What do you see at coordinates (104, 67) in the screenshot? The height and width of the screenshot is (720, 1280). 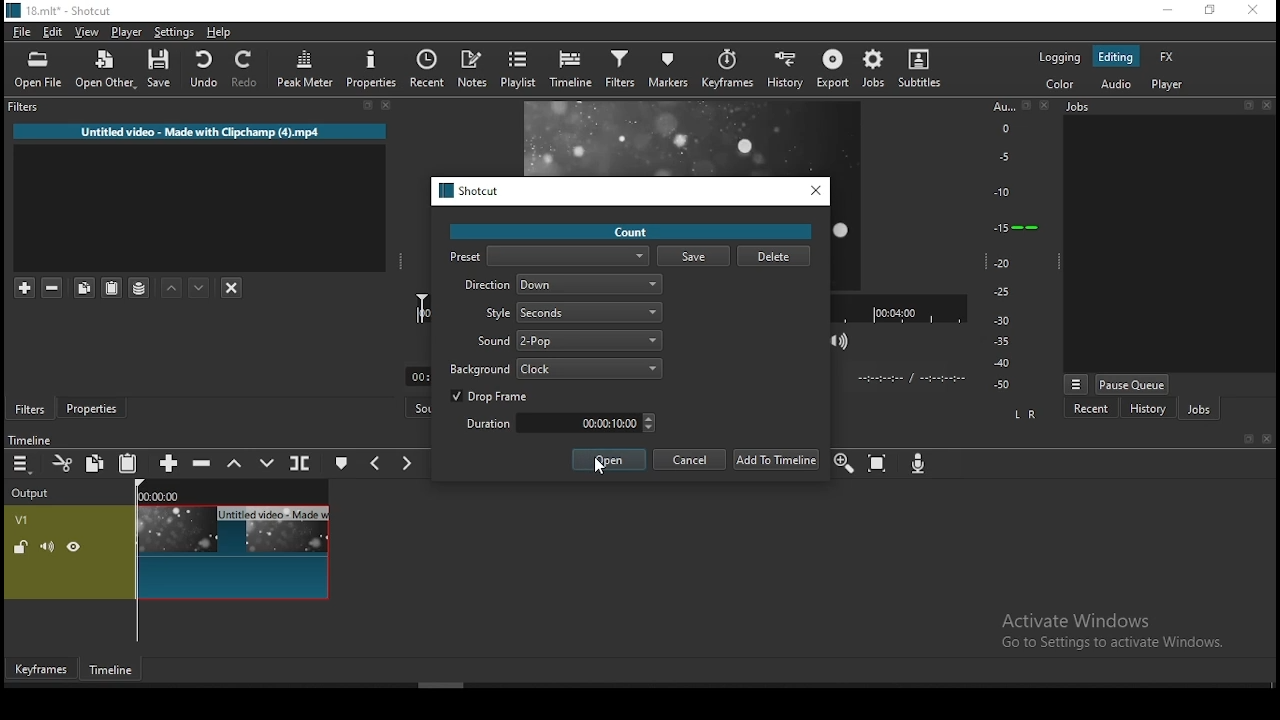 I see `open other` at bounding box center [104, 67].